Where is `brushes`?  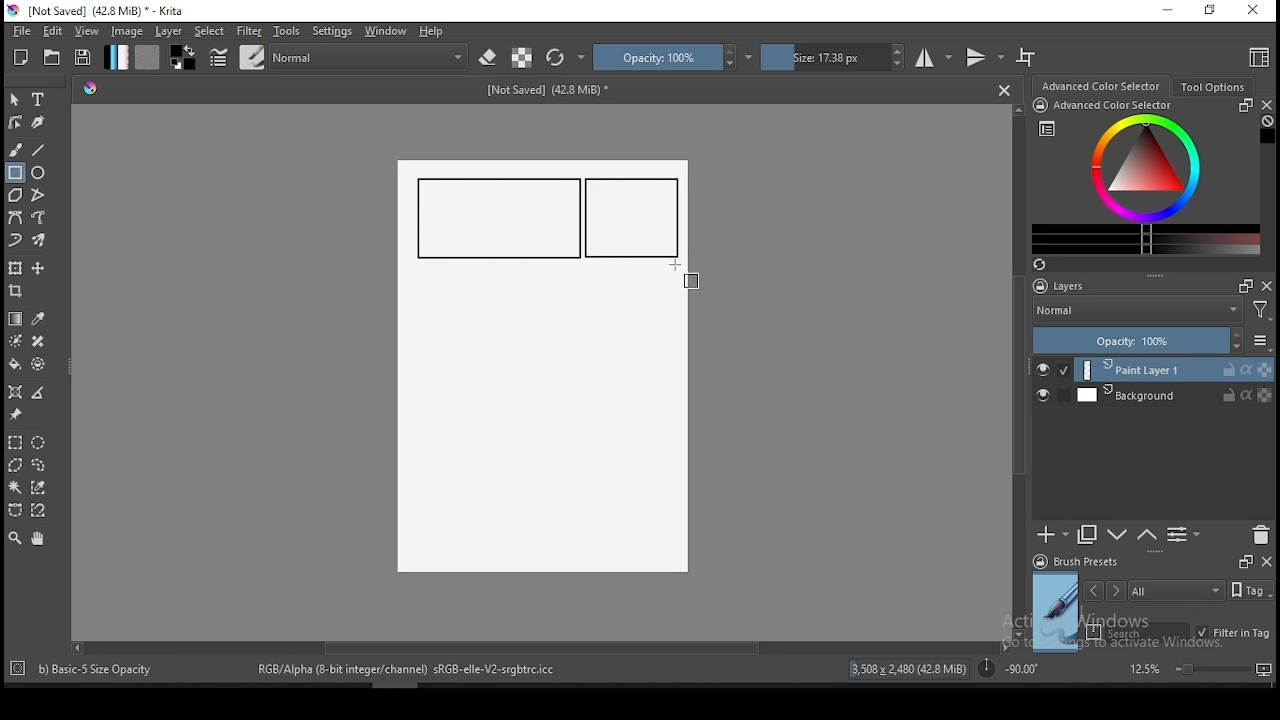 brushes is located at coordinates (252, 57).